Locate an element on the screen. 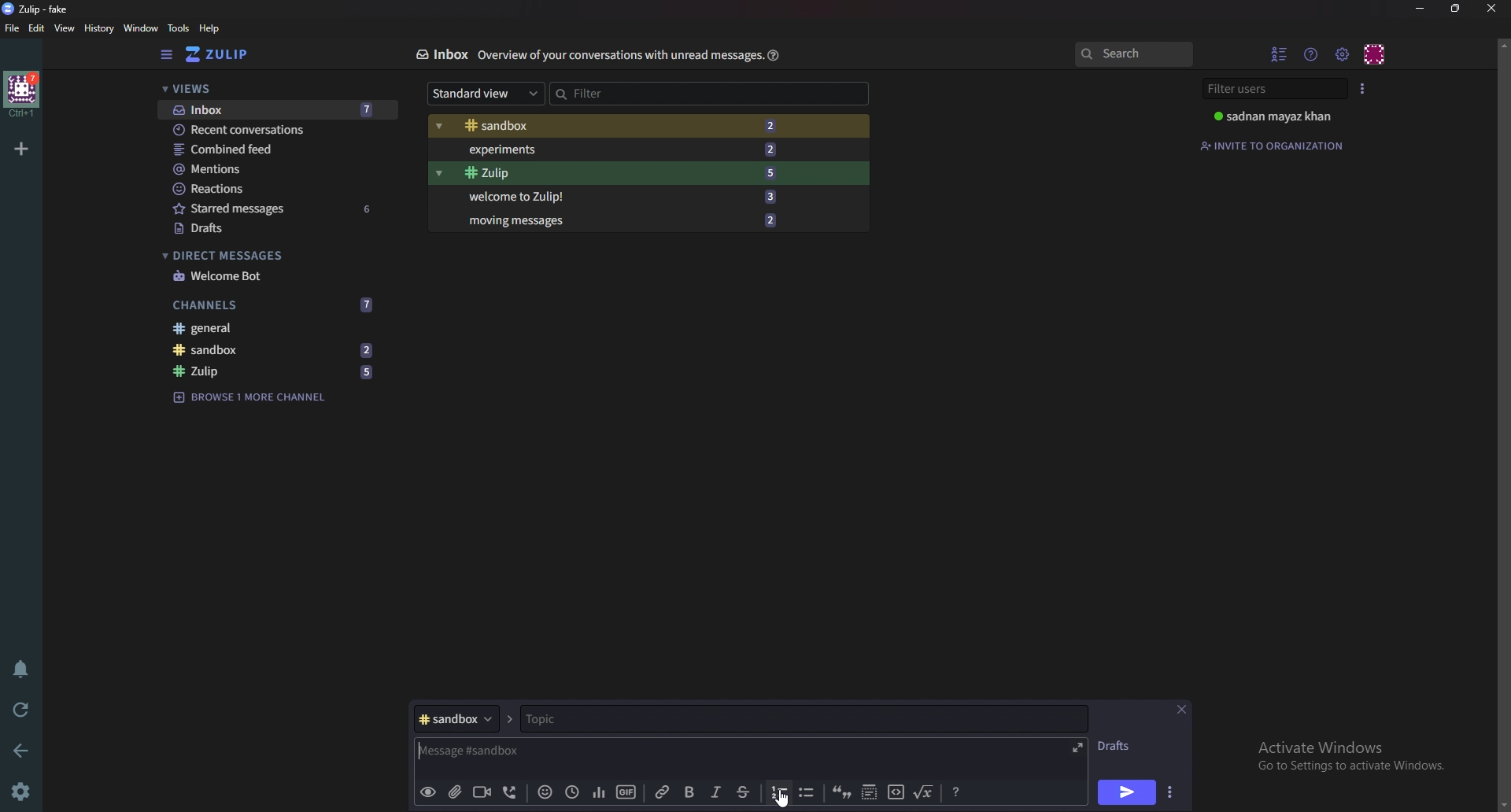  link is located at coordinates (663, 792).